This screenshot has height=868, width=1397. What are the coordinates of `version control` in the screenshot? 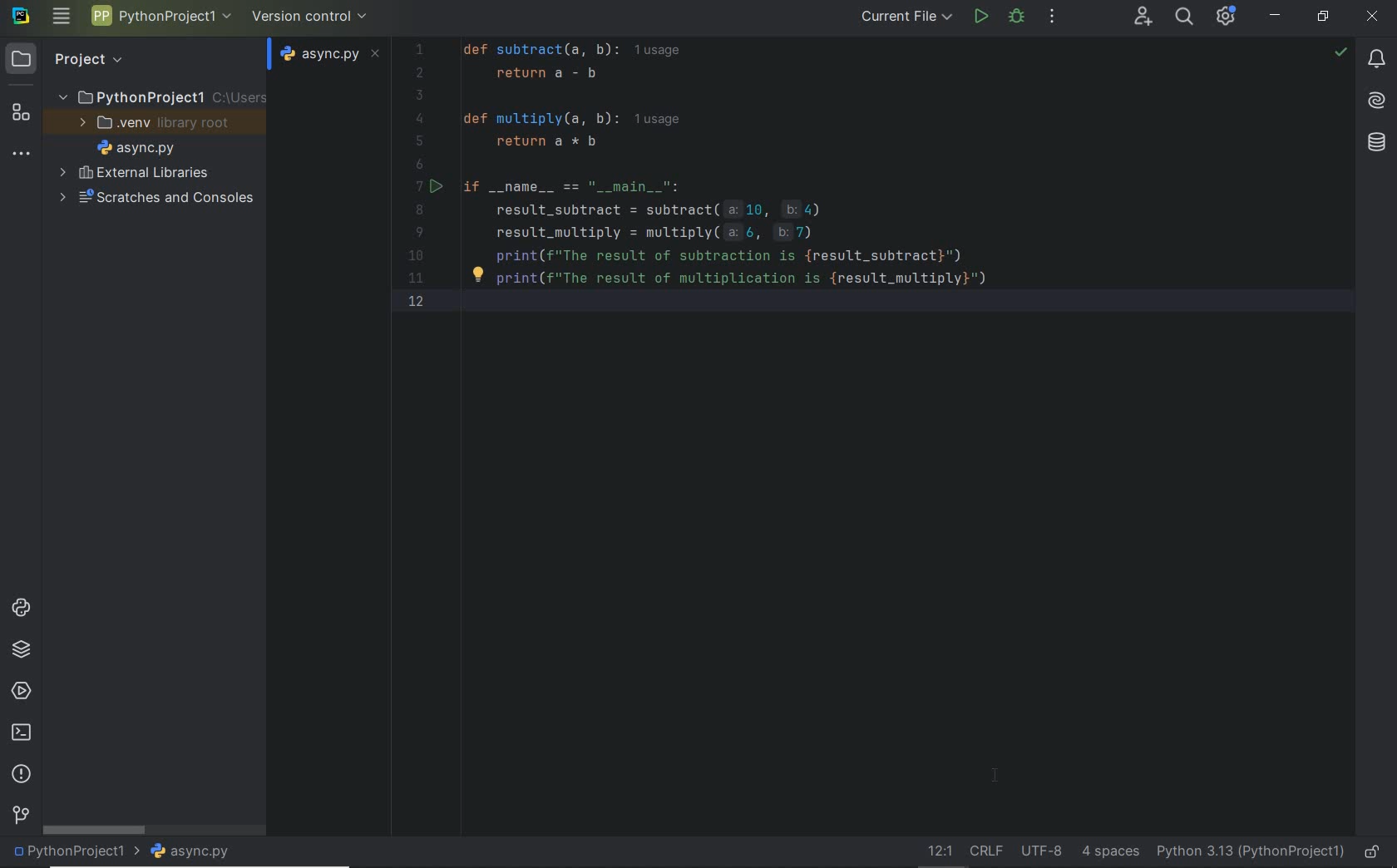 It's located at (310, 17).